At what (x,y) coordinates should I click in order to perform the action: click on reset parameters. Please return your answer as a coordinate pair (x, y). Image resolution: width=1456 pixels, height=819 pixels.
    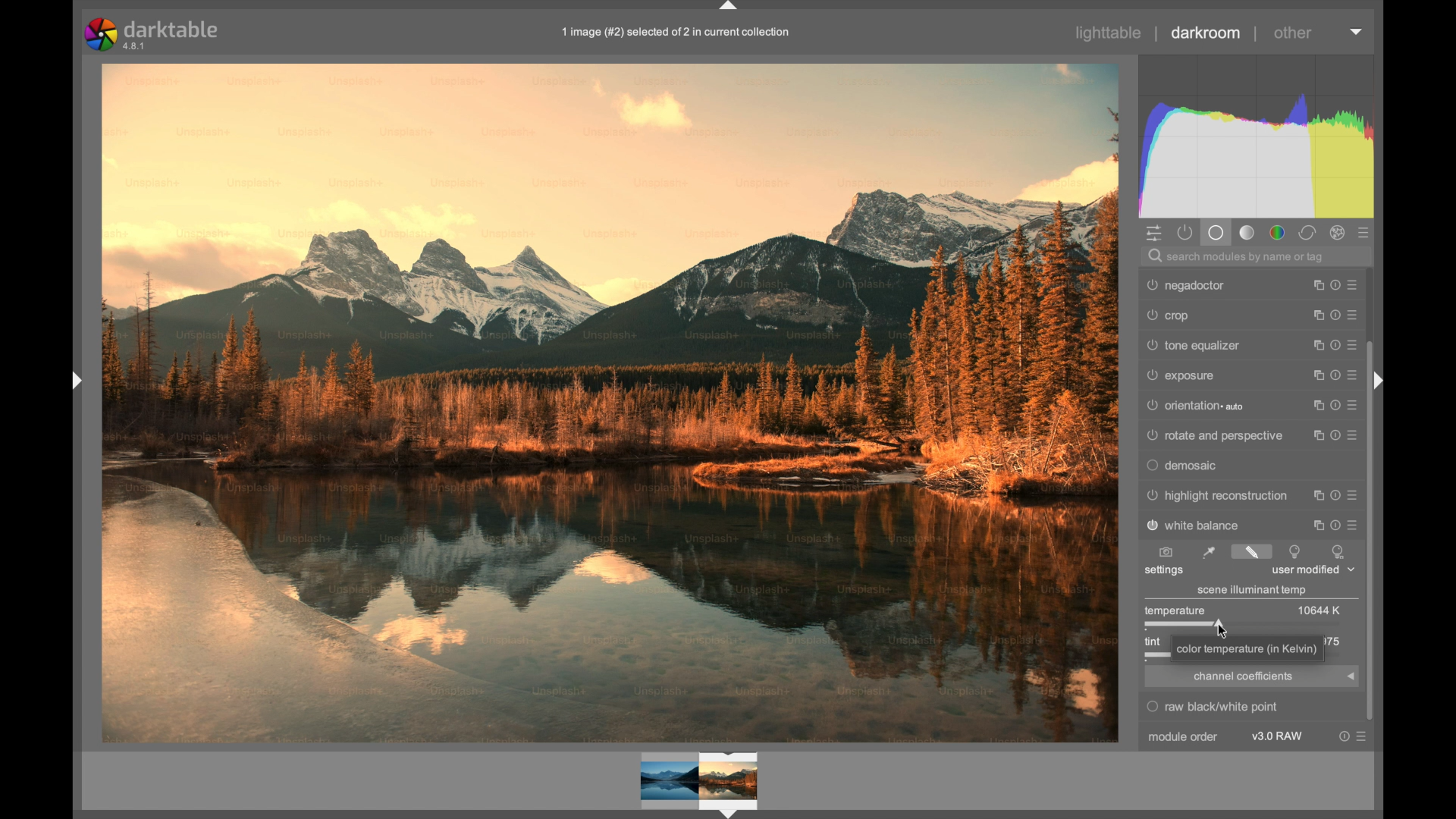
    Looking at the image, I should click on (1334, 462).